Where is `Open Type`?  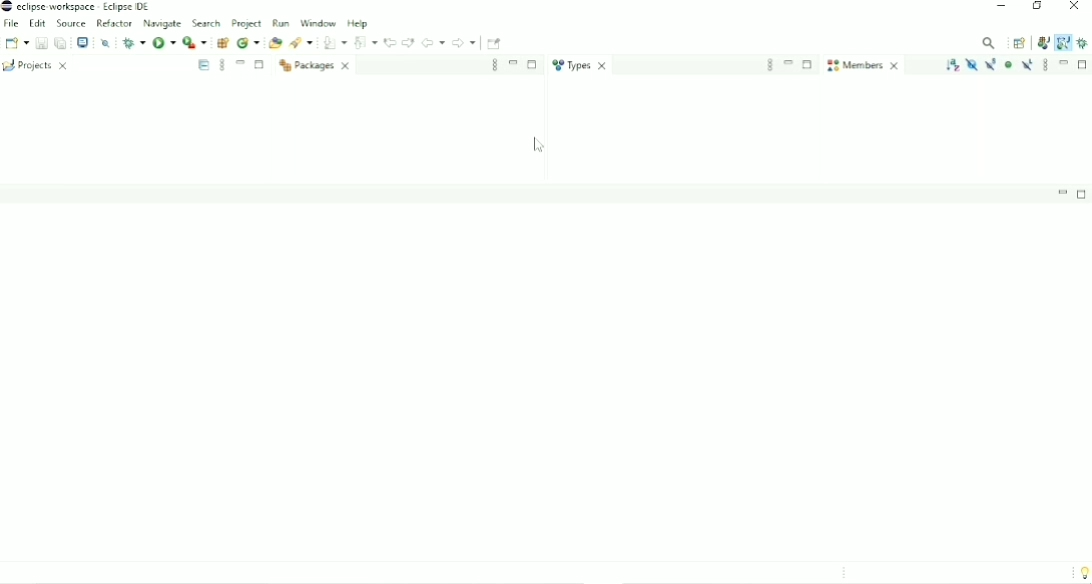
Open Type is located at coordinates (303, 43).